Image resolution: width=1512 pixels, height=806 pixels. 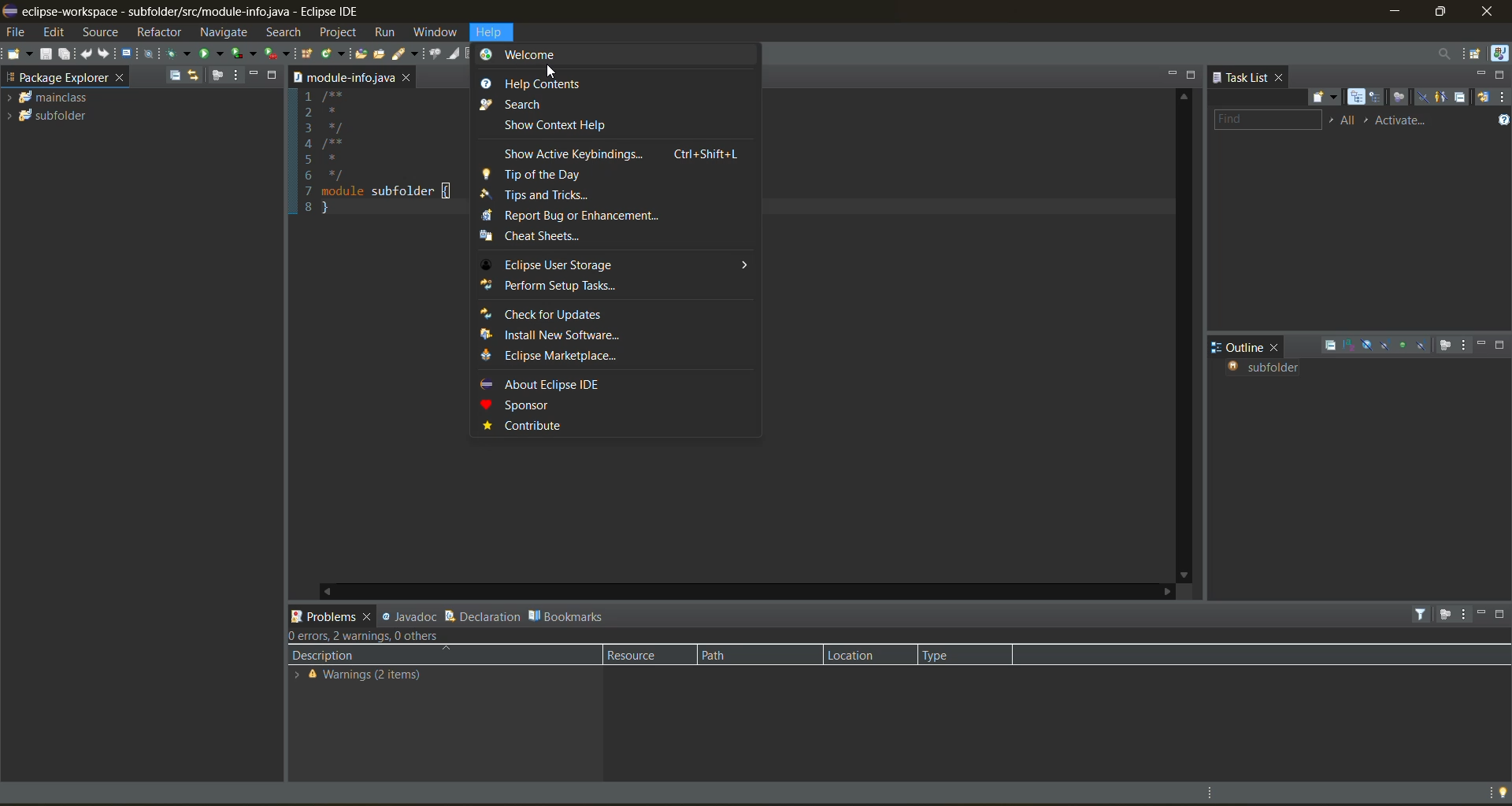 I want to click on close, so click(x=406, y=79).